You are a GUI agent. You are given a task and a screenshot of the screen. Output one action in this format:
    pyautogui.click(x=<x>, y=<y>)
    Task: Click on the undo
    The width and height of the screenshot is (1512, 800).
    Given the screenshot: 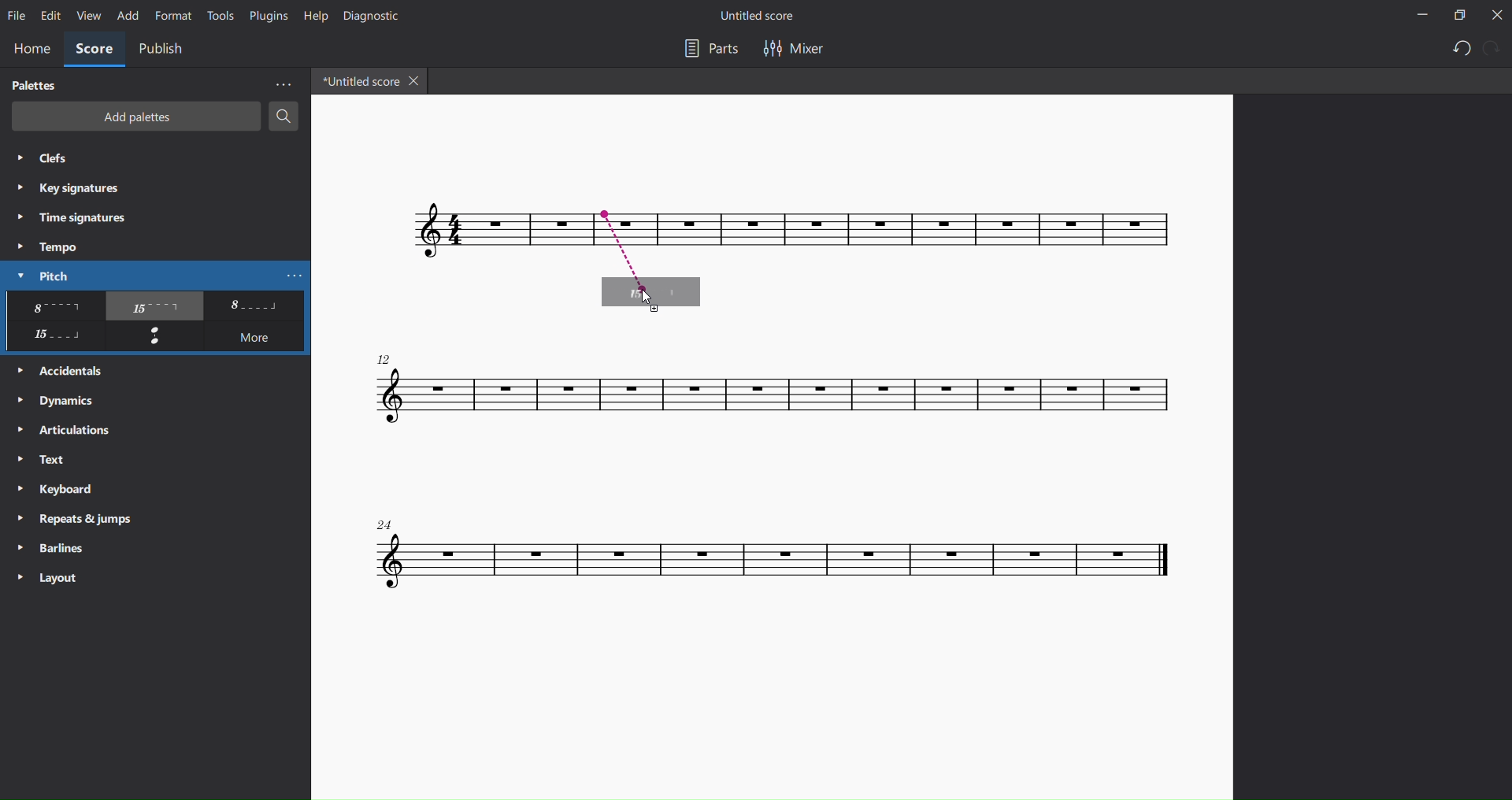 What is the action you would take?
    pyautogui.click(x=1459, y=49)
    